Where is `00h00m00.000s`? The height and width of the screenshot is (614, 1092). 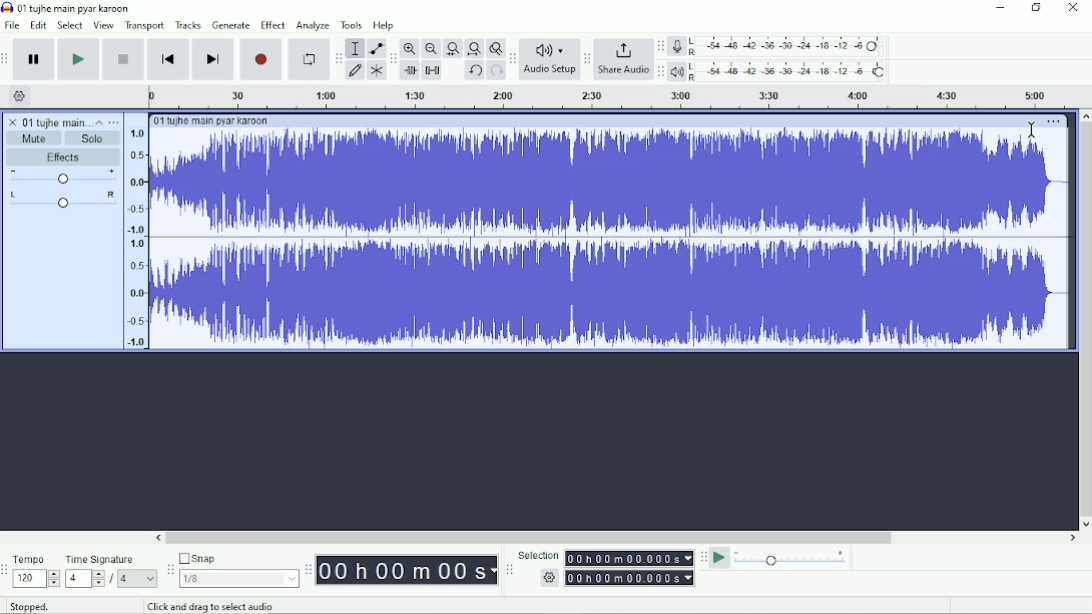 00h00m00.000s is located at coordinates (630, 559).